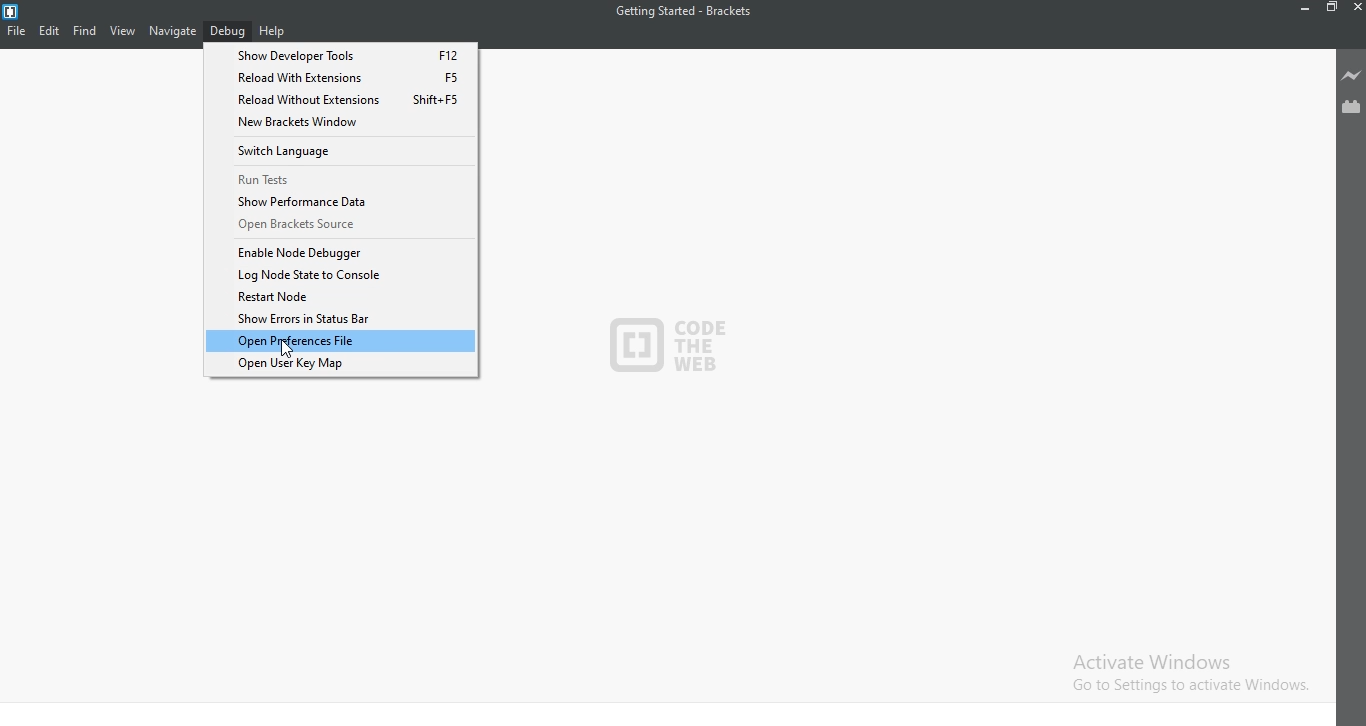 Image resolution: width=1366 pixels, height=726 pixels. What do you see at coordinates (1301, 11) in the screenshot?
I see `minimise` at bounding box center [1301, 11].